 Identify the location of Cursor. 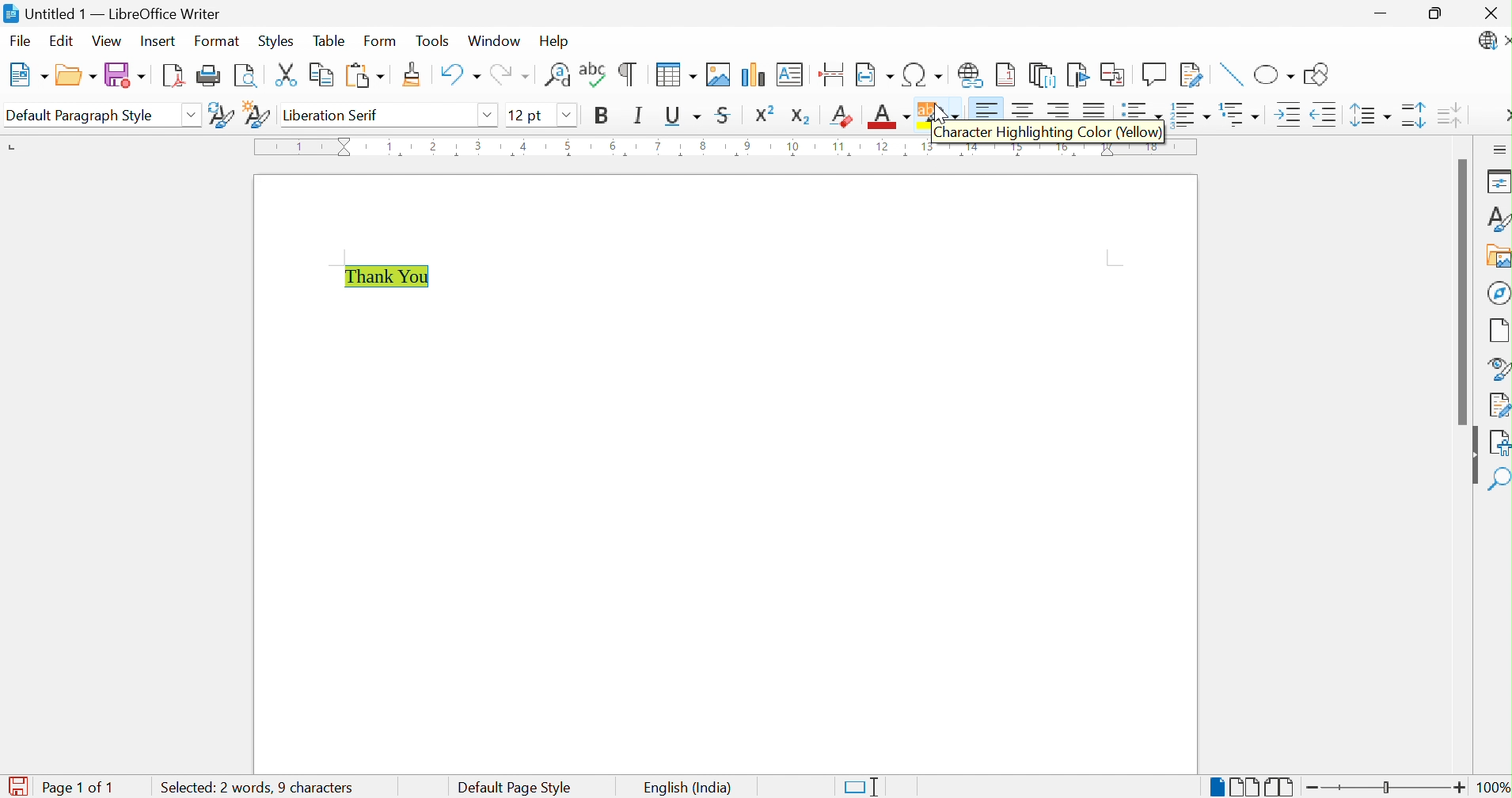
(938, 111).